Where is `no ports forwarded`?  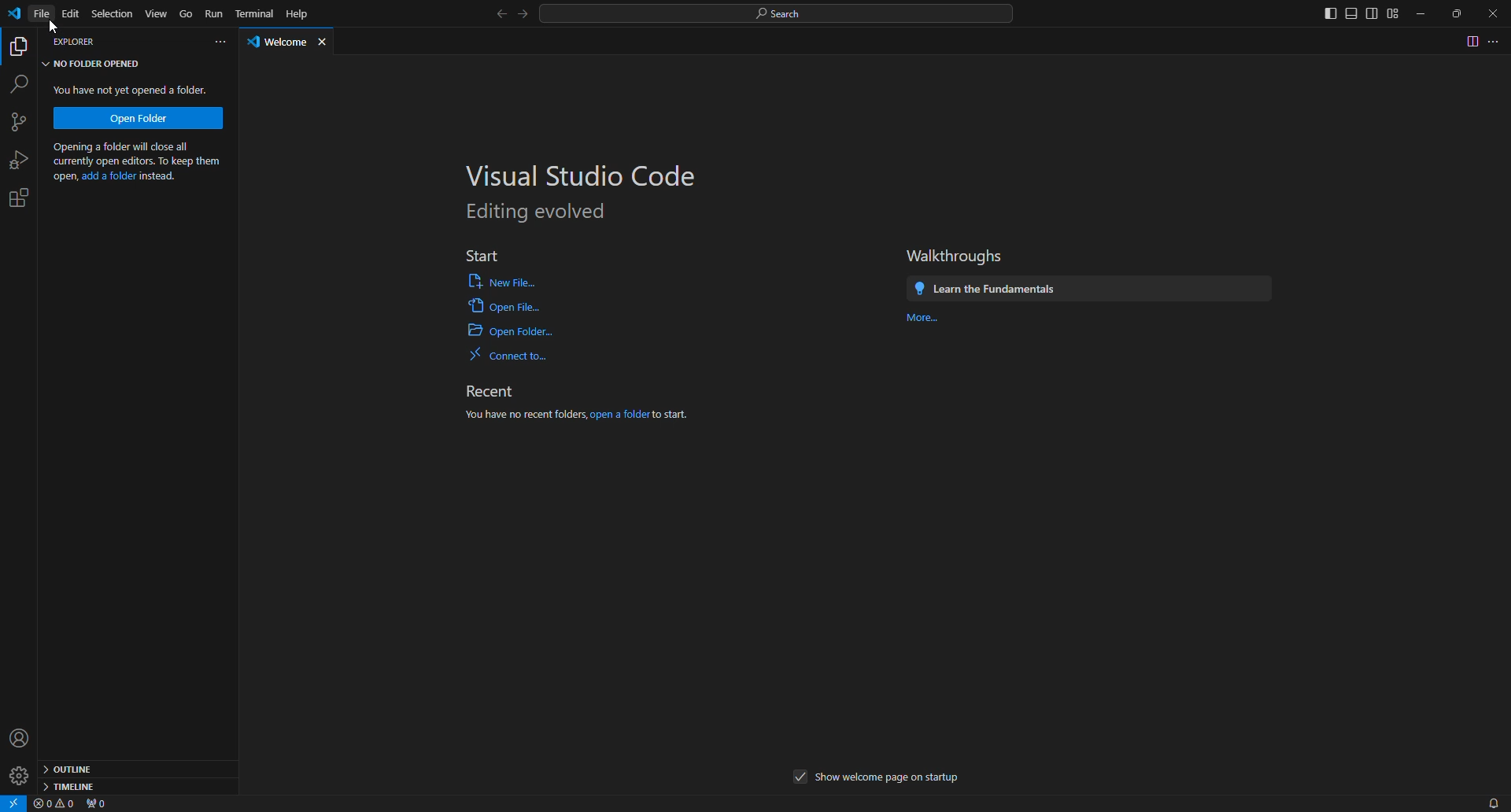 no ports forwarded is located at coordinates (100, 804).